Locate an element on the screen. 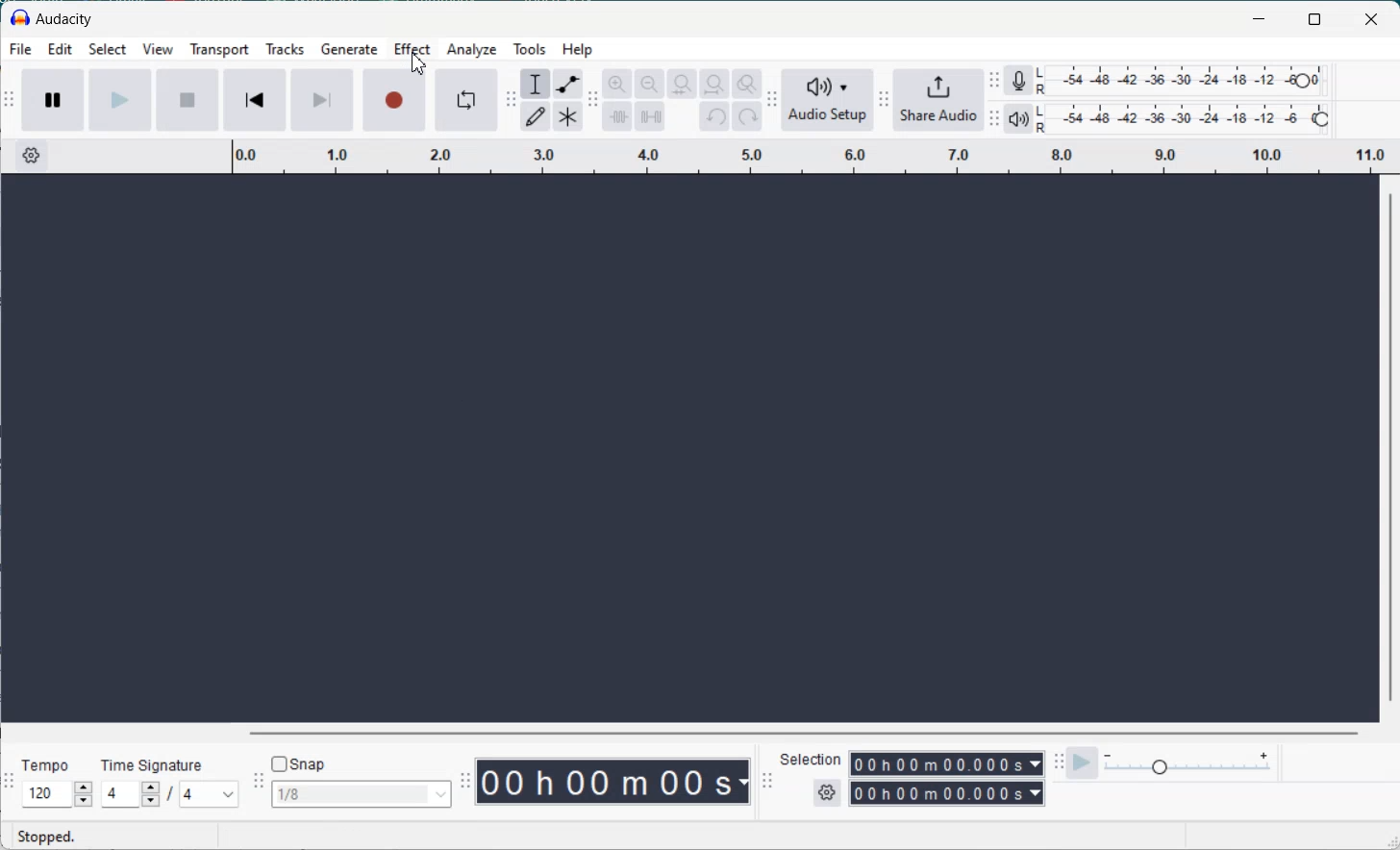 This screenshot has width=1400, height=850. Stop is located at coordinates (187, 101).